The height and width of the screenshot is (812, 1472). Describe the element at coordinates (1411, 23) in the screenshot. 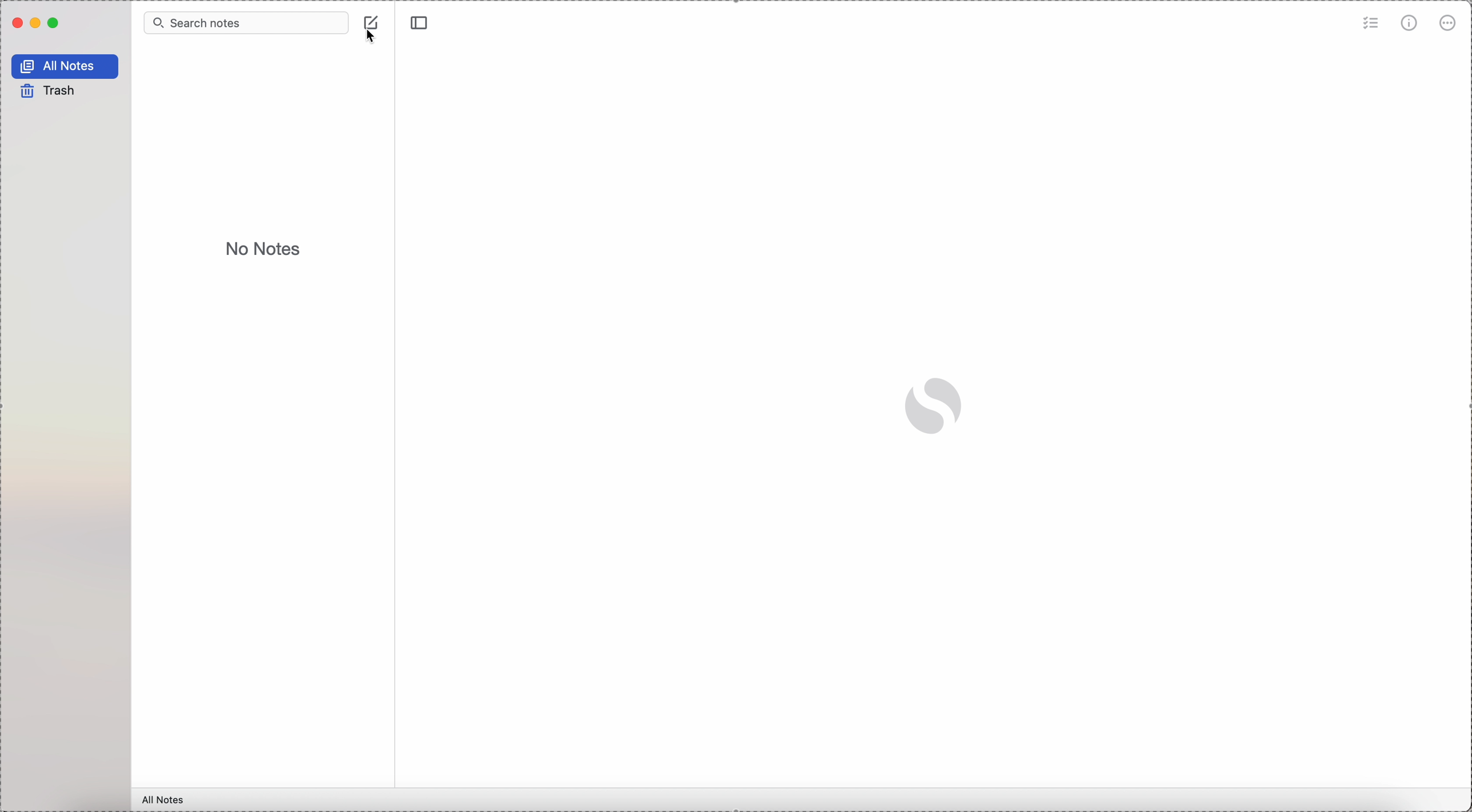

I see `metrics` at that location.